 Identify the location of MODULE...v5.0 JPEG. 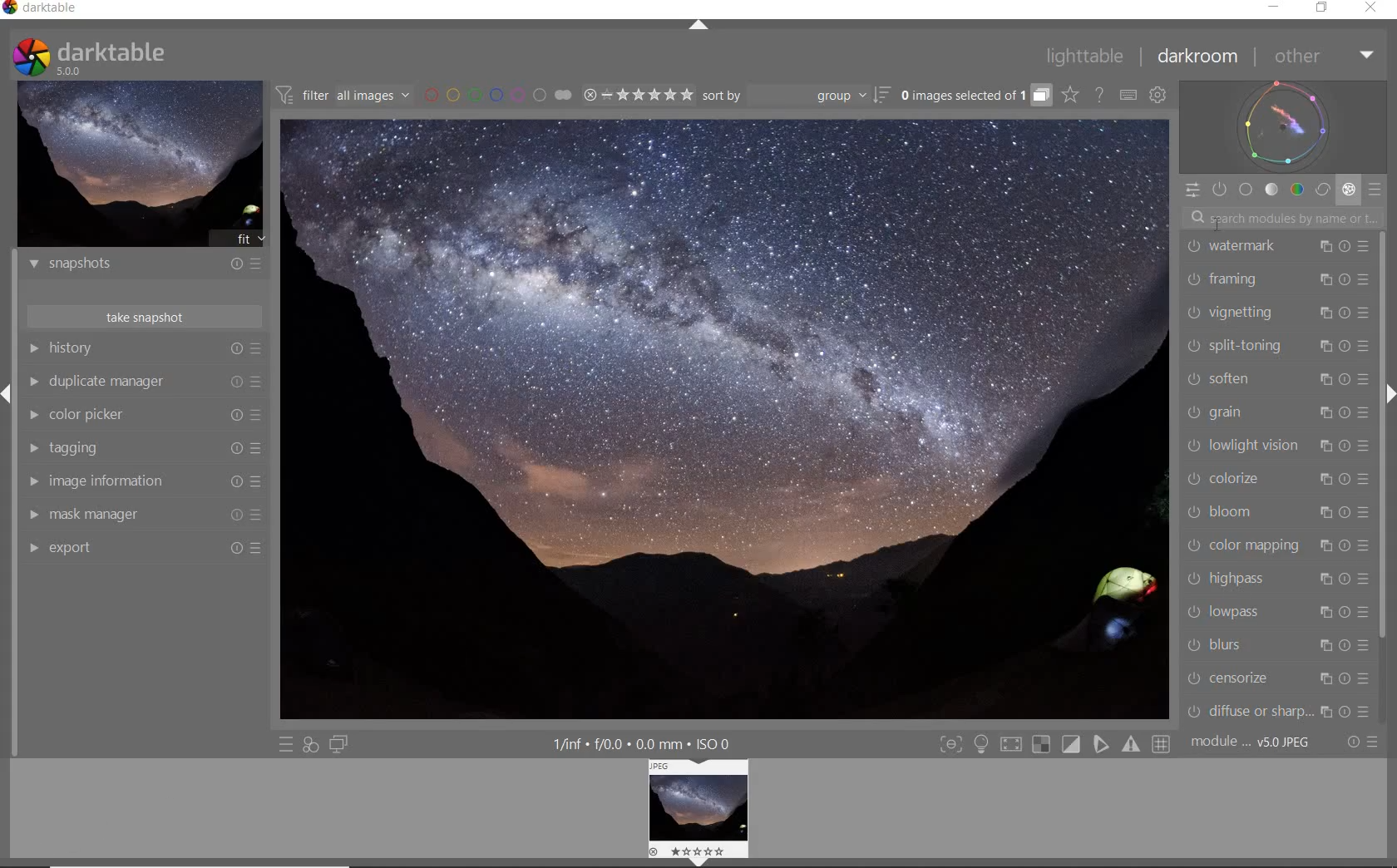
(1256, 743).